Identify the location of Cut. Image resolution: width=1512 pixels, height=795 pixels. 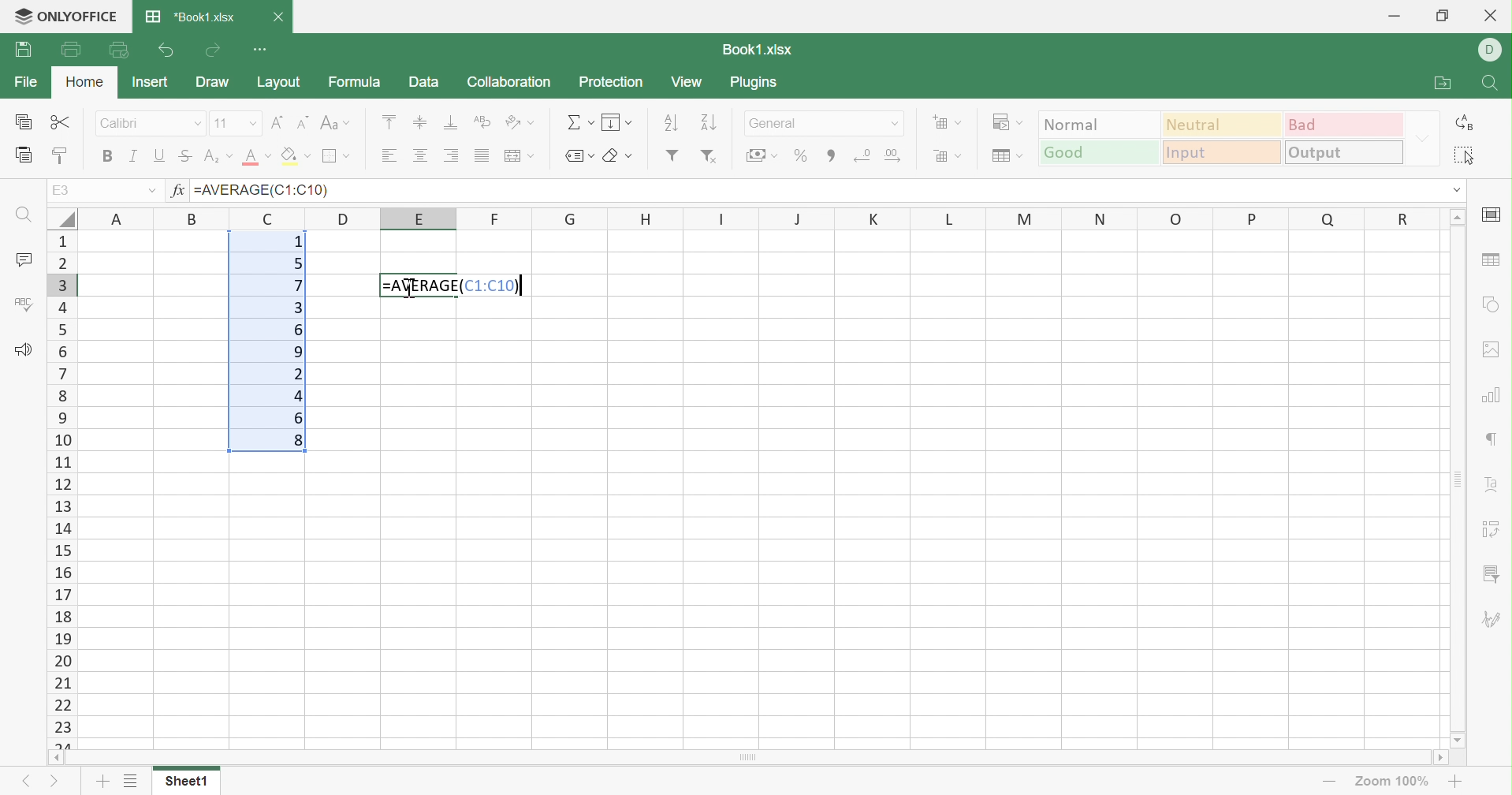
(63, 121).